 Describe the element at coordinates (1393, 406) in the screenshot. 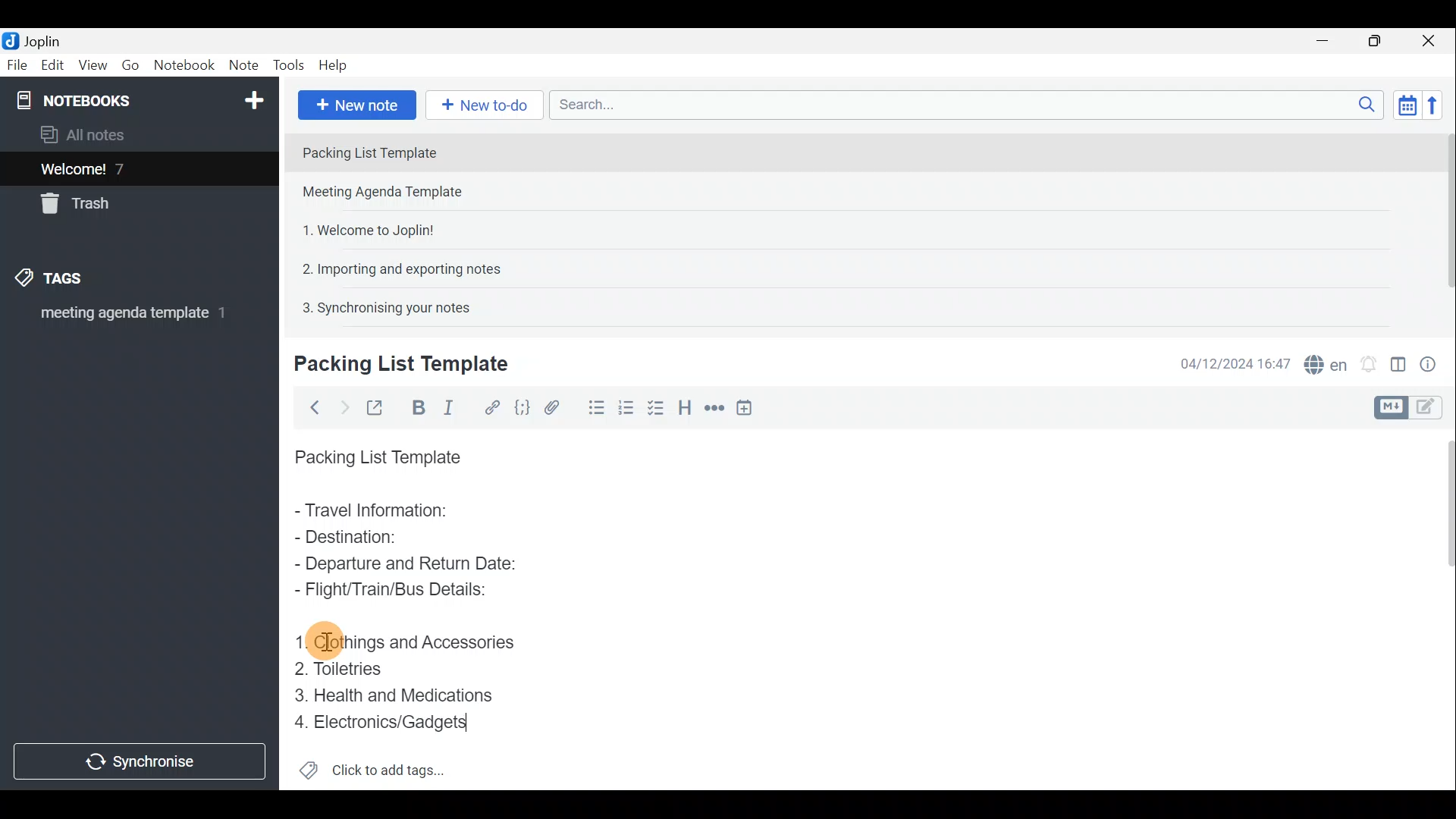

I see `Toggle editors` at that location.